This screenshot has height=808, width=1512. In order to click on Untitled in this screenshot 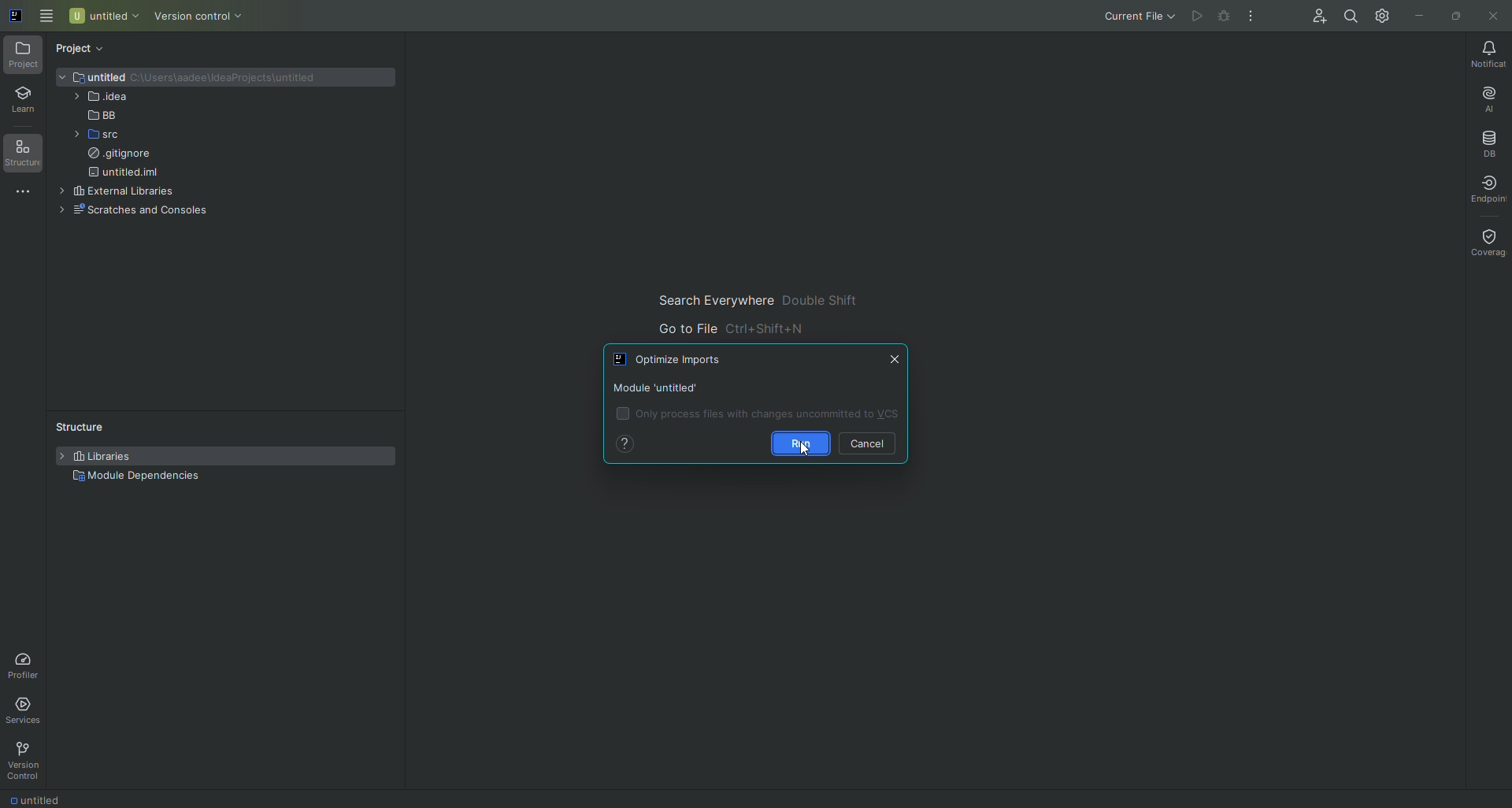, I will do `click(93, 76)`.